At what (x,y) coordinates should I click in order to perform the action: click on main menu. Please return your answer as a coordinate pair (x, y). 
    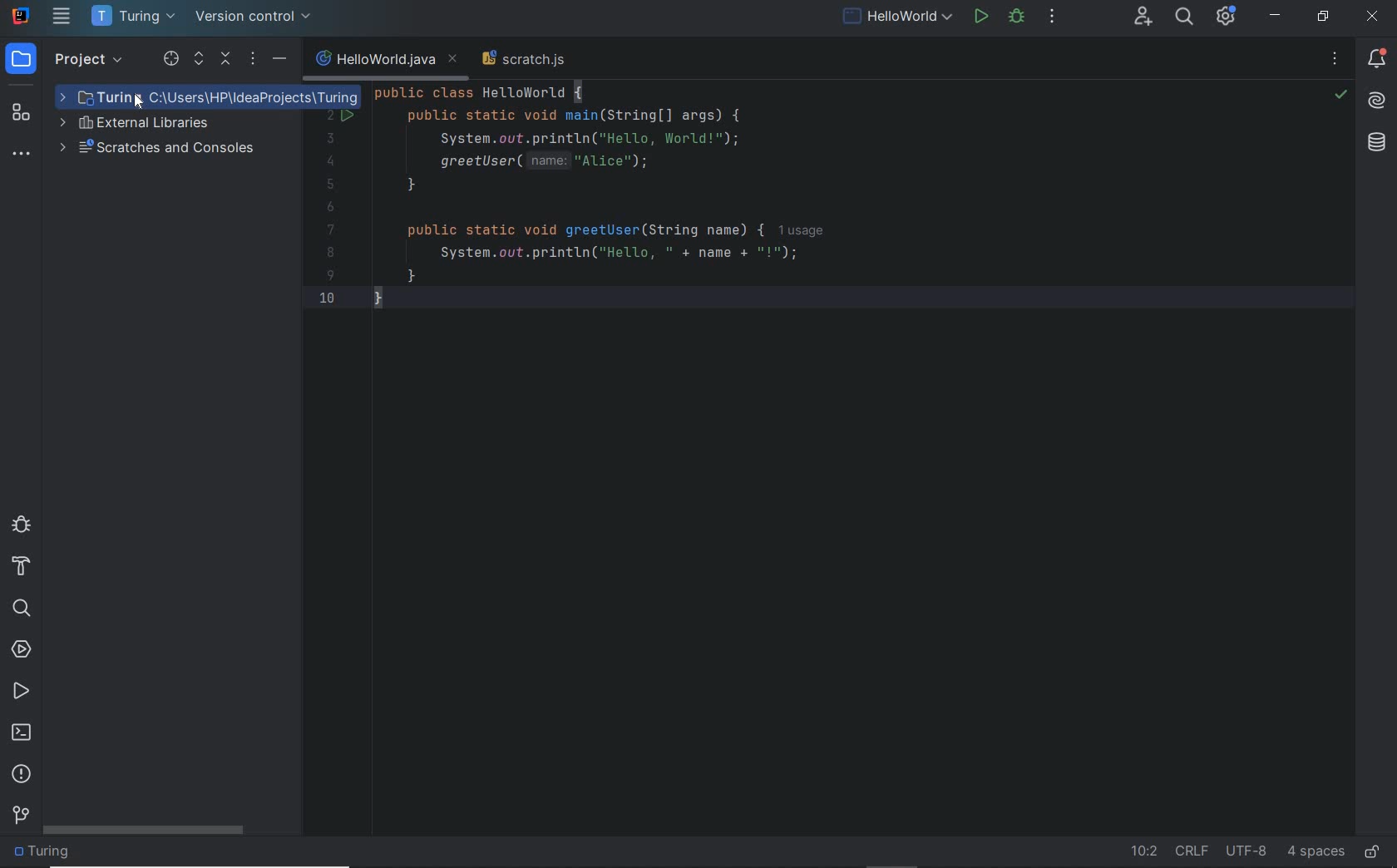
    Looking at the image, I should click on (62, 16).